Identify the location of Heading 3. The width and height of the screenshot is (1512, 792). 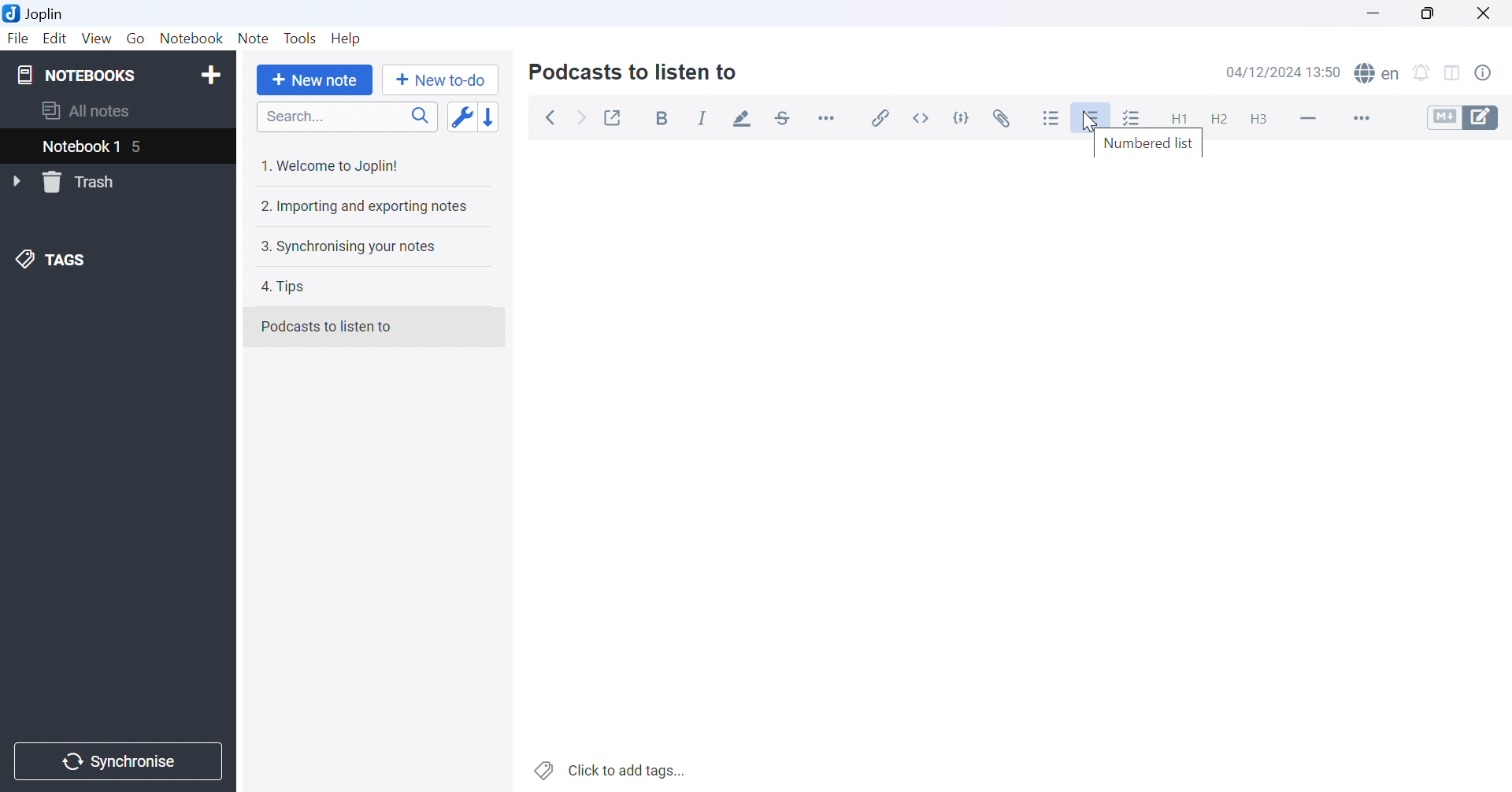
(1260, 120).